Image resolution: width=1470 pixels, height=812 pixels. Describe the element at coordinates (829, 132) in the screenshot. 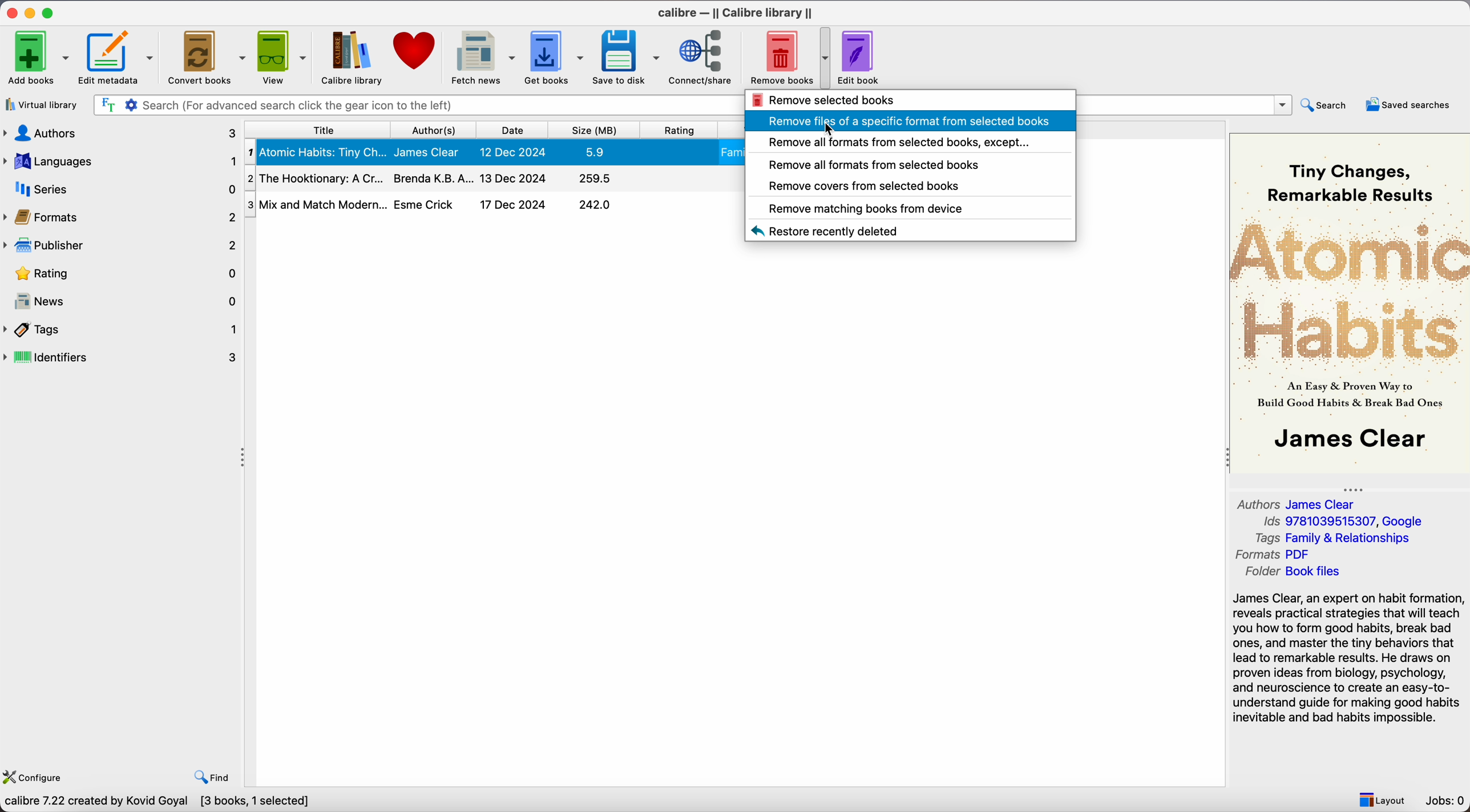

I see `cursor` at that location.